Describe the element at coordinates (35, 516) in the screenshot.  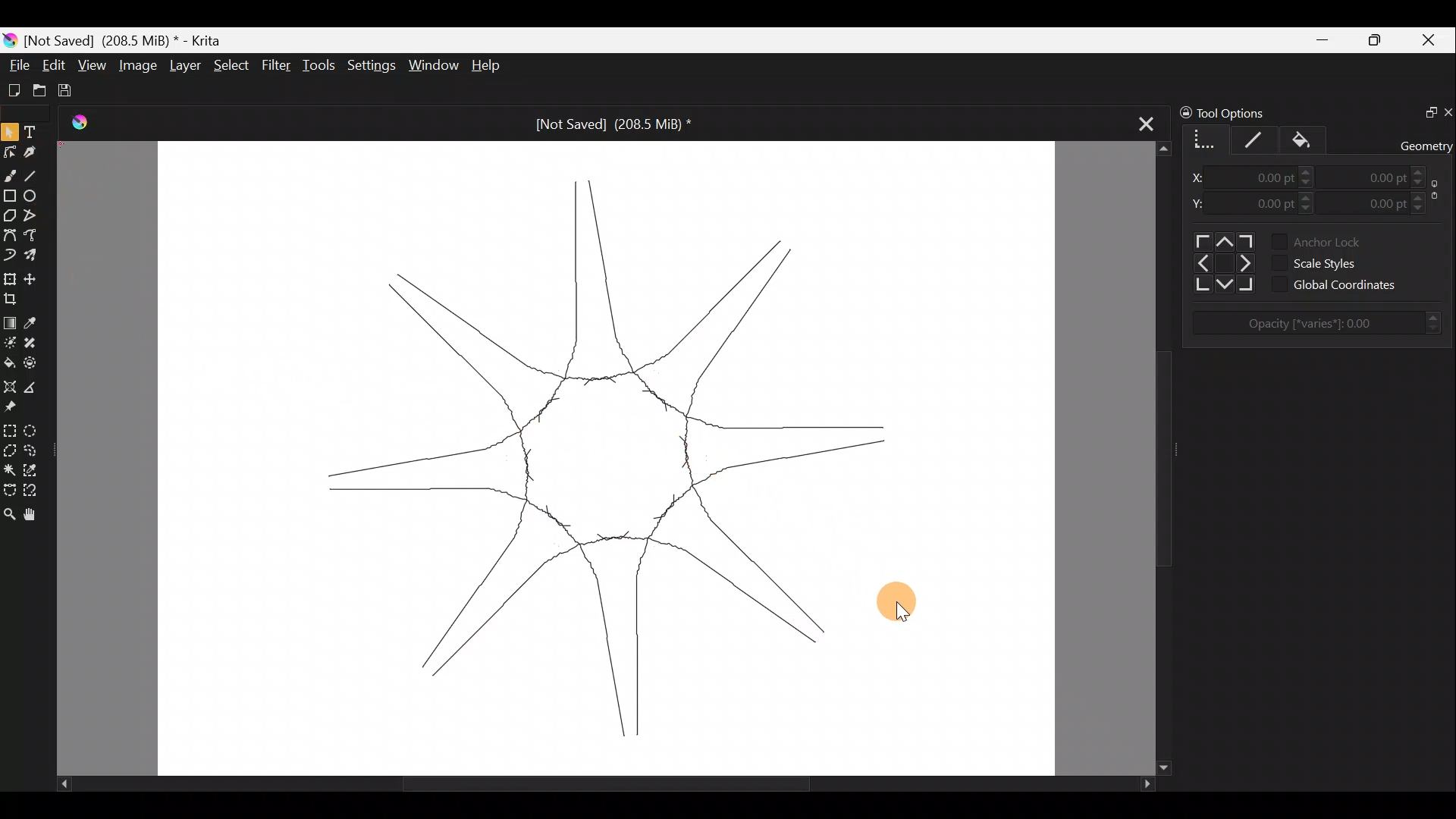
I see `Pan tool` at that location.